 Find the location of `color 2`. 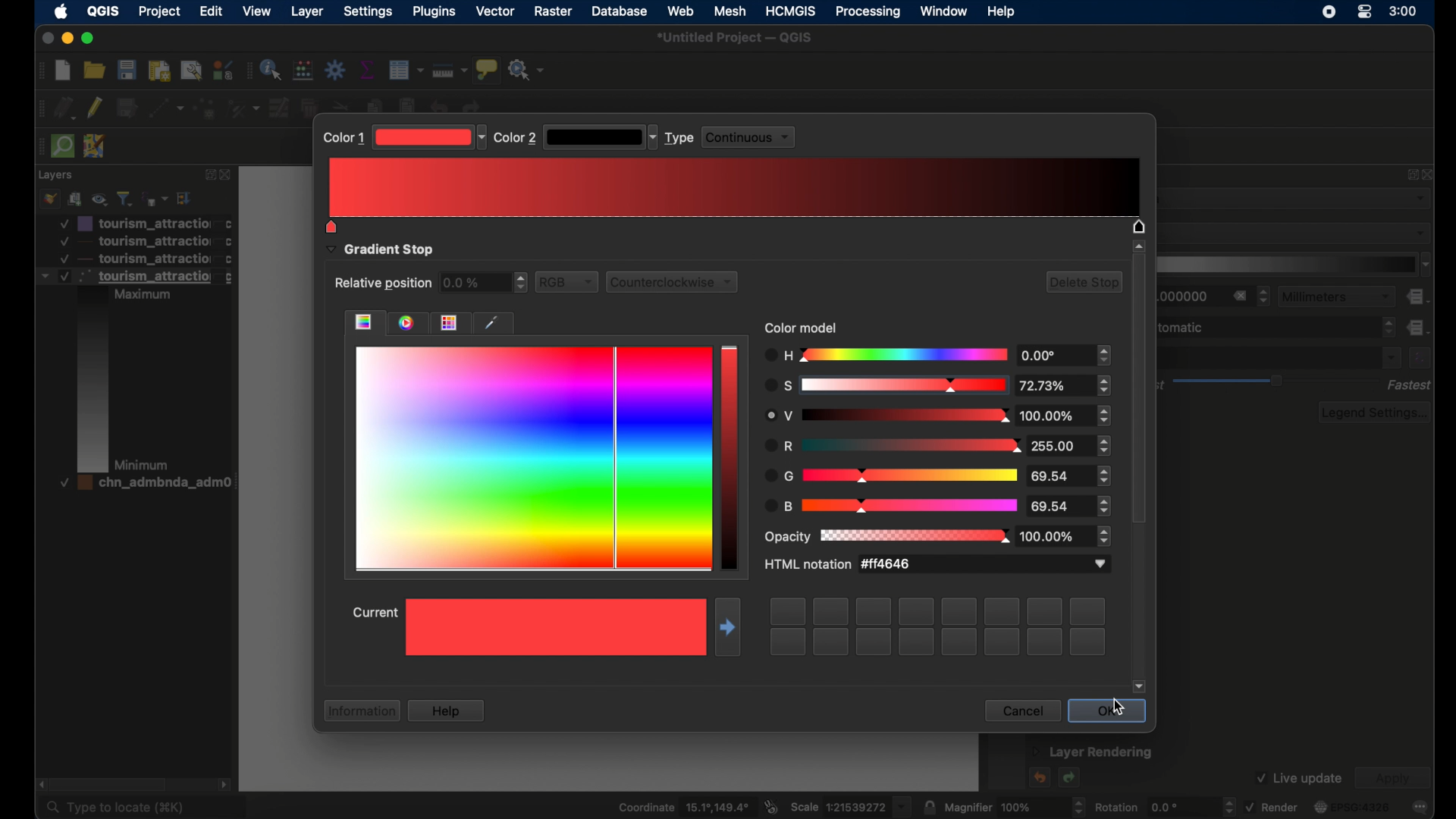

color 2 is located at coordinates (516, 138).